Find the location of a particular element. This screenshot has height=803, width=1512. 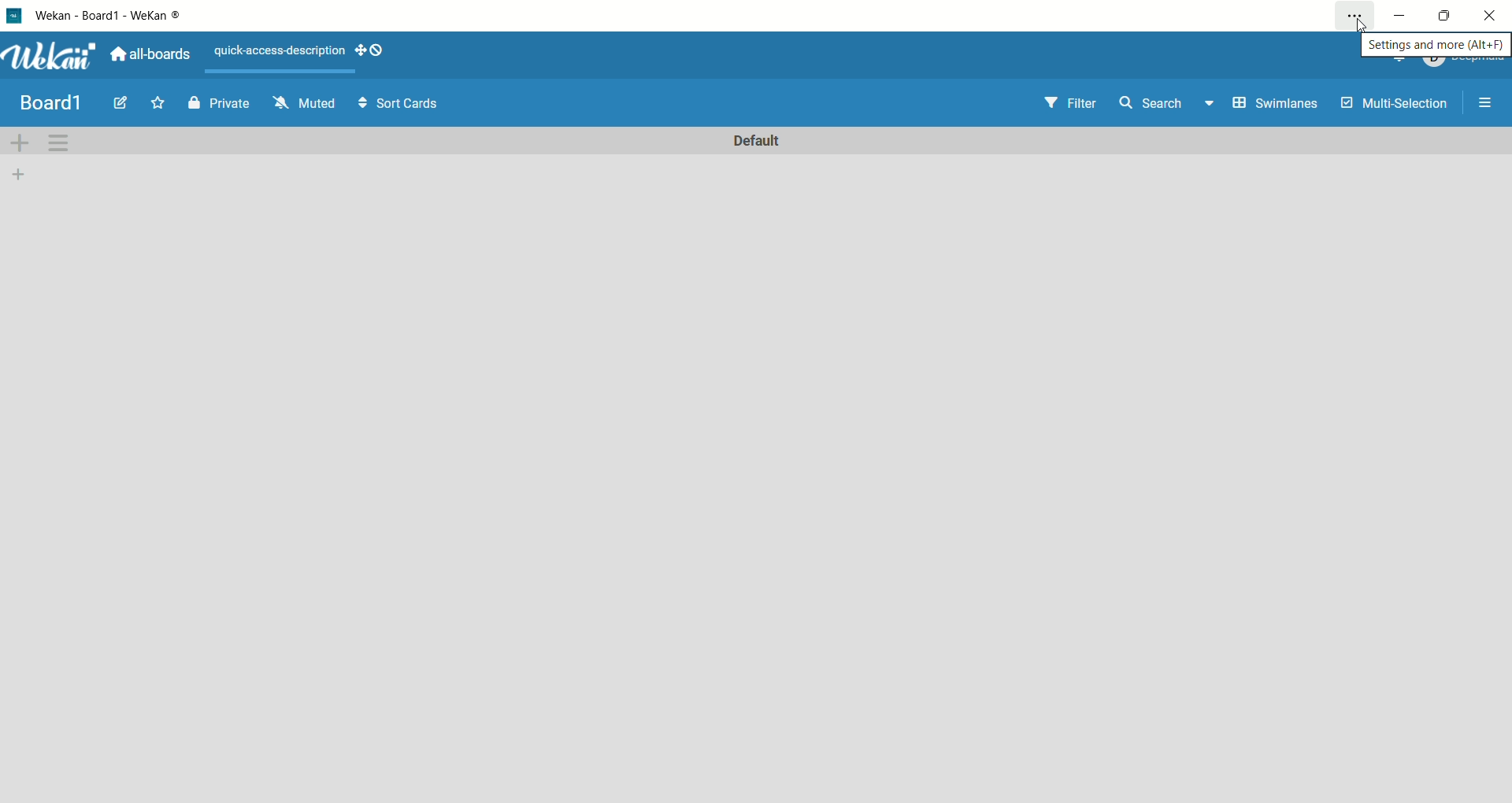

swimlanes is located at coordinates (1280, 105).